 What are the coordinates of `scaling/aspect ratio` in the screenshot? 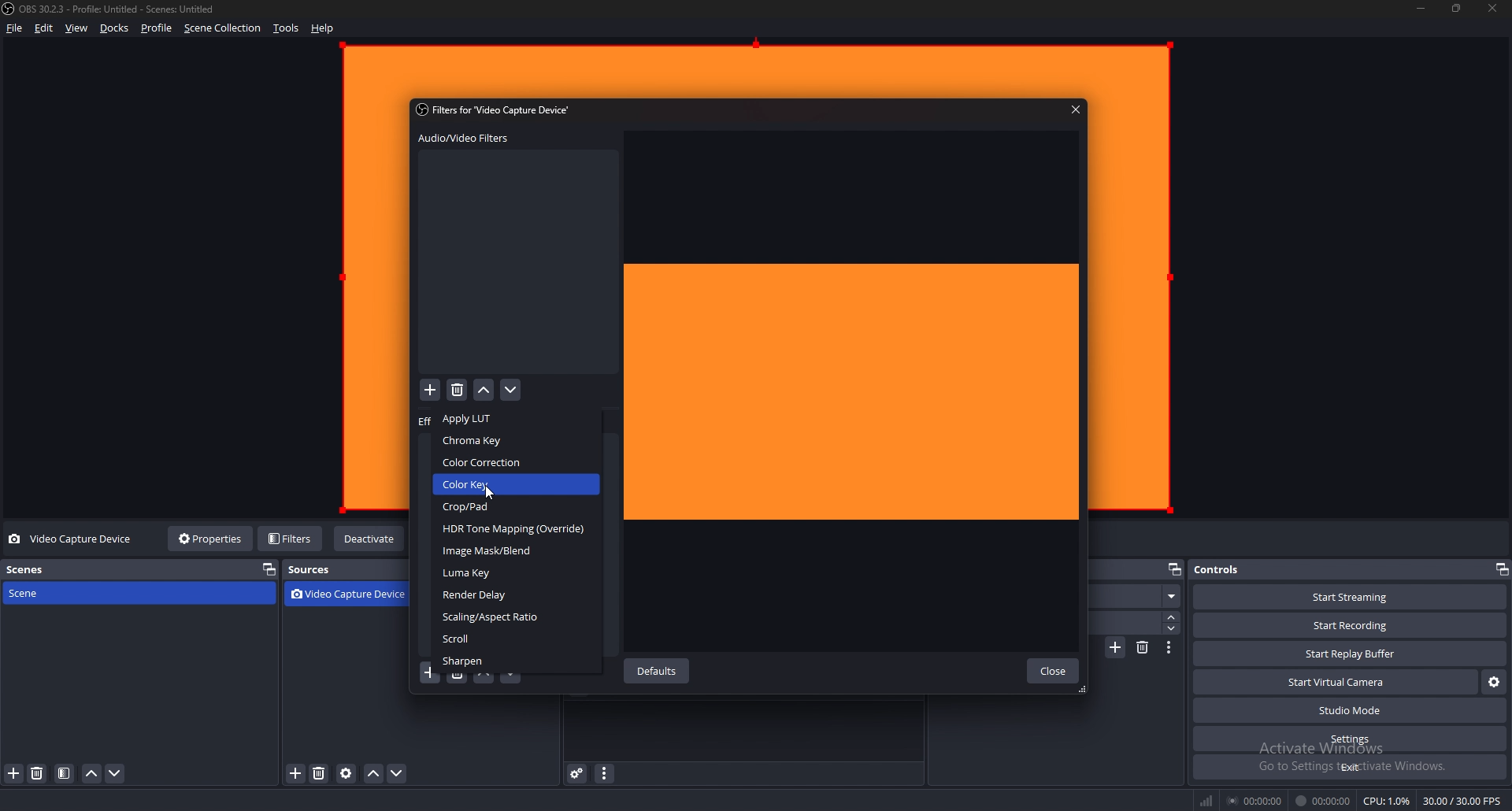 It's located at (516, 616).